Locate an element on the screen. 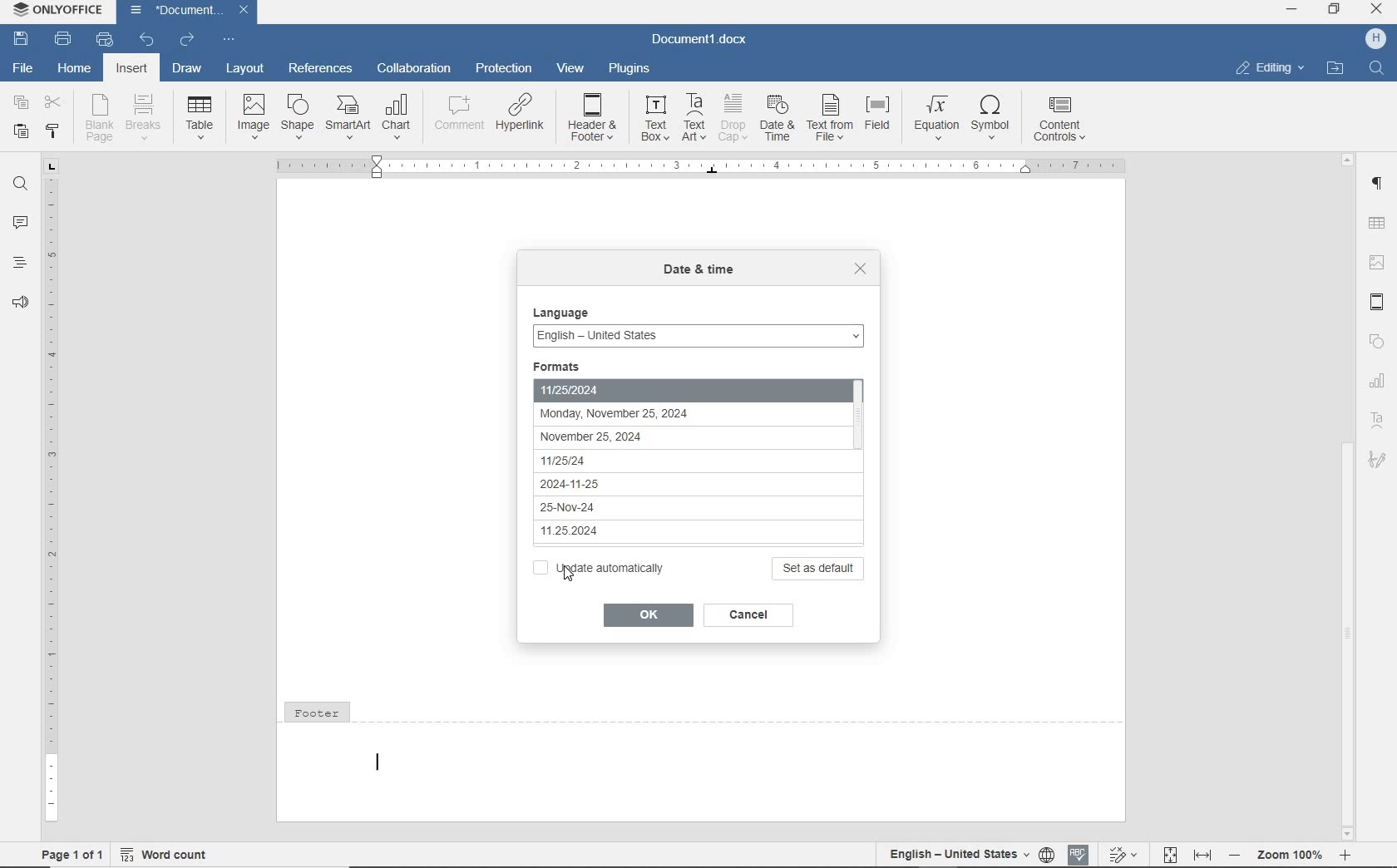  quick print is located at coordinates (106, 41).